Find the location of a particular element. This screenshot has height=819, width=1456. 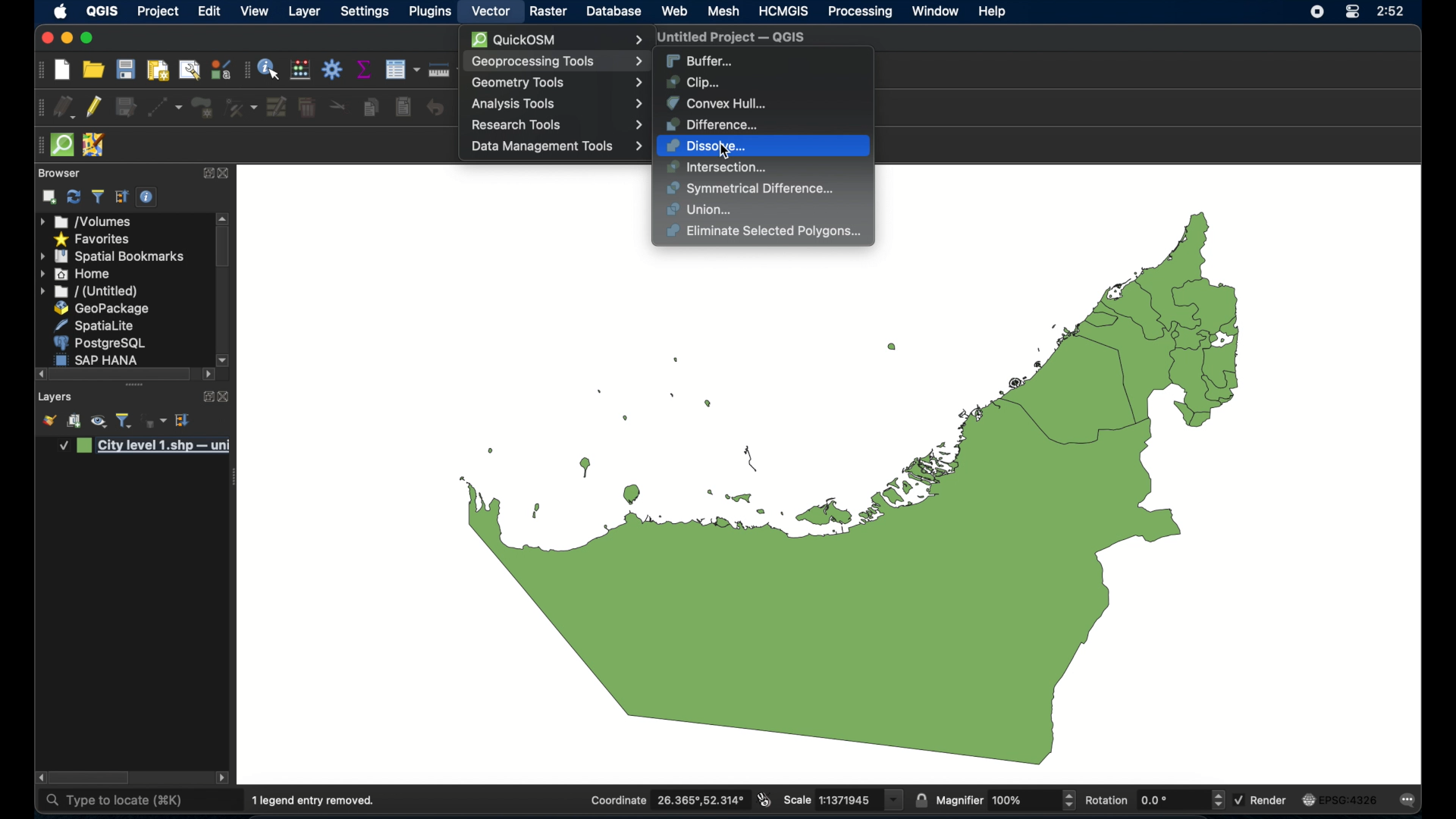

current crs is located at coordinates (1339, 799).